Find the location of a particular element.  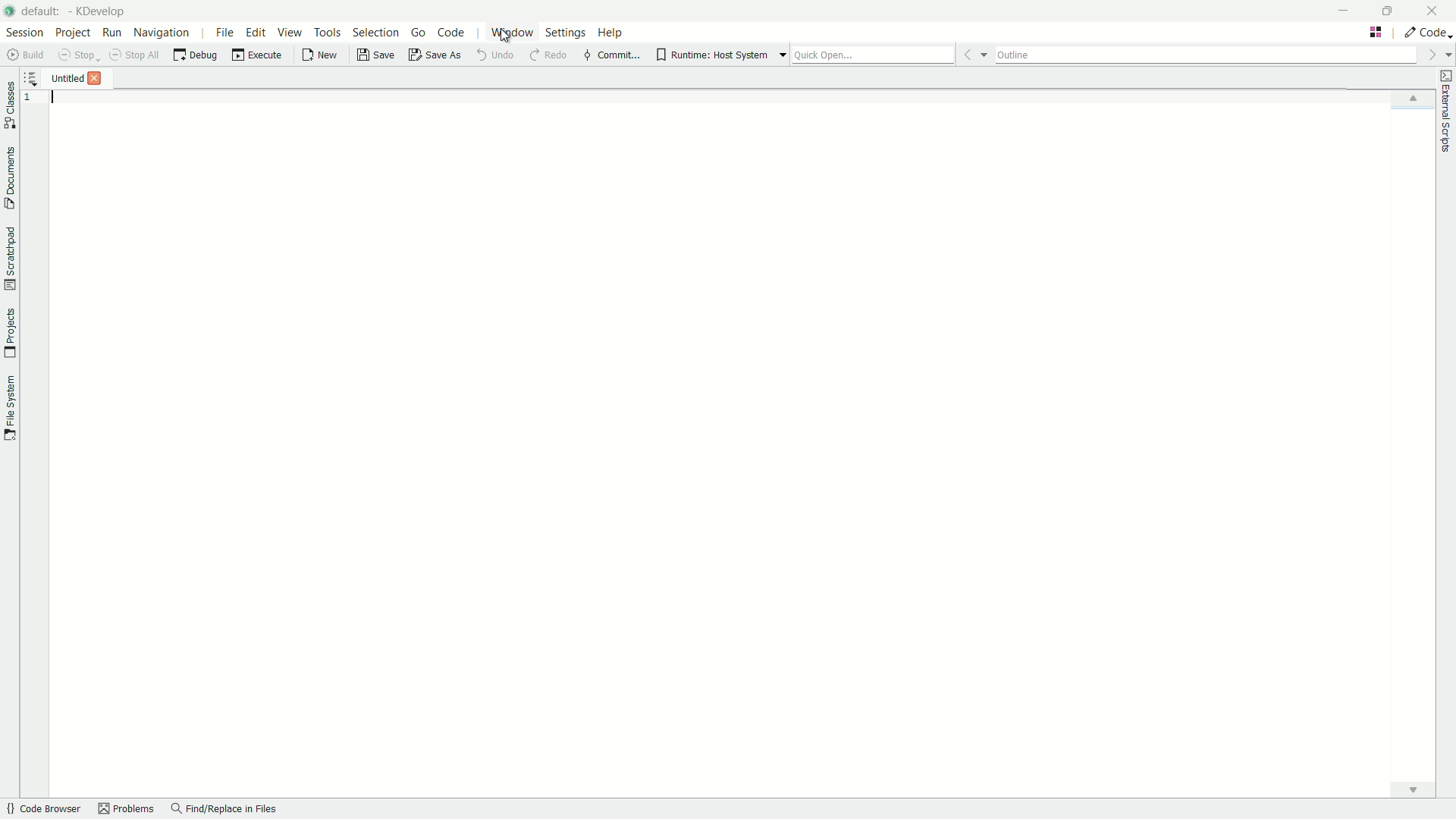

outline bar is located at coordinates (1223, 55).